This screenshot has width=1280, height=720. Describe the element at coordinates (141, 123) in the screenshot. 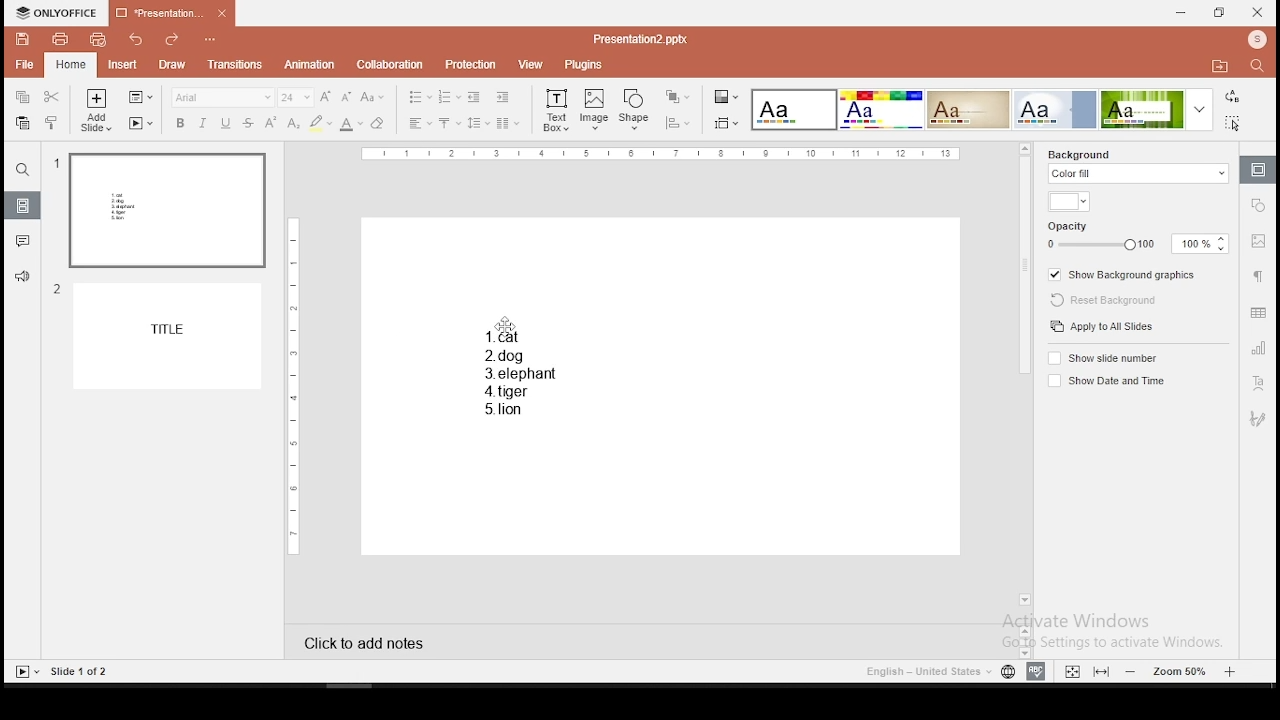

I see `start slideshow` at that location.